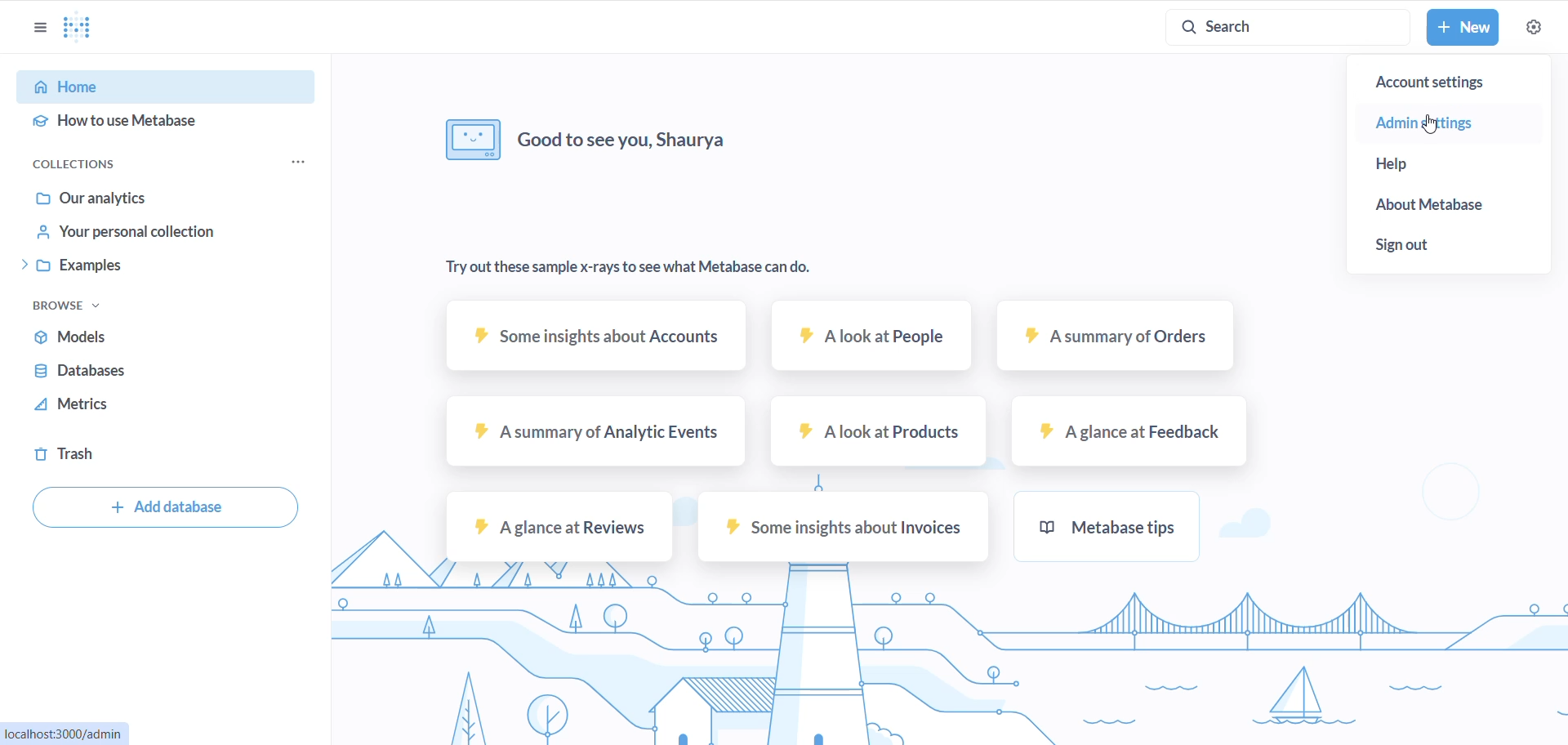 The width and height of the screenshot is (1568, 745). Describe the element at coordinates (76, 303) in the screenshot. I see `BROWSE` at that location.